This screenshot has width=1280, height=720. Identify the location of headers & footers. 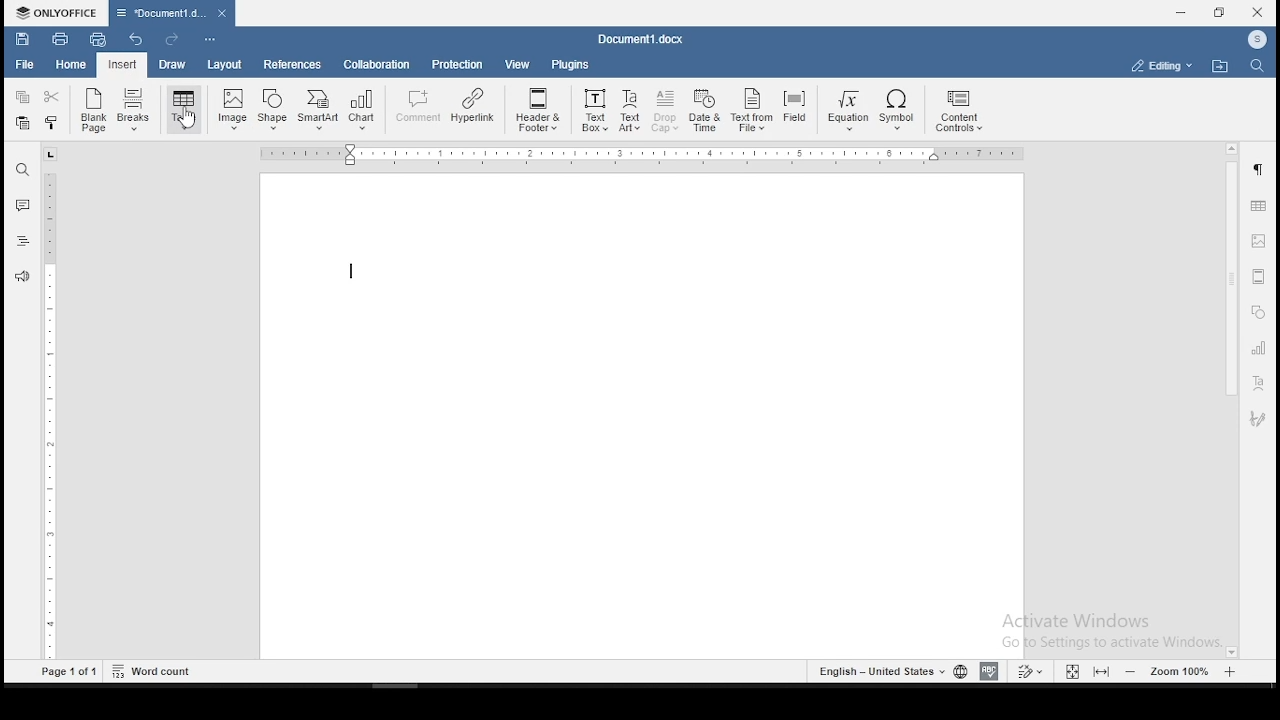
(1258, 276).